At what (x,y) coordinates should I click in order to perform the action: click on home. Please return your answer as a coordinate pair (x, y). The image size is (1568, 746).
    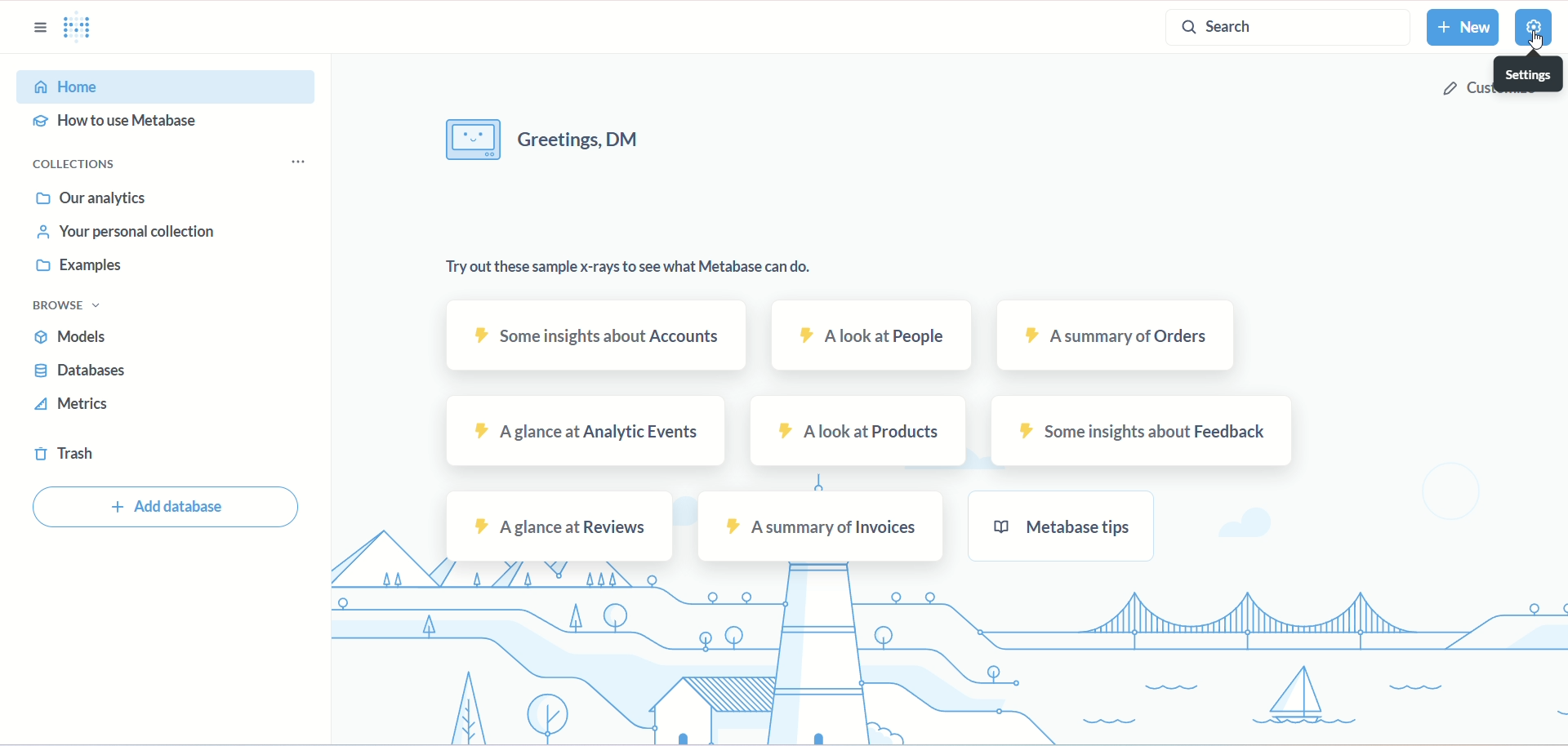
    Looking at the image, I should click on (169, 85).